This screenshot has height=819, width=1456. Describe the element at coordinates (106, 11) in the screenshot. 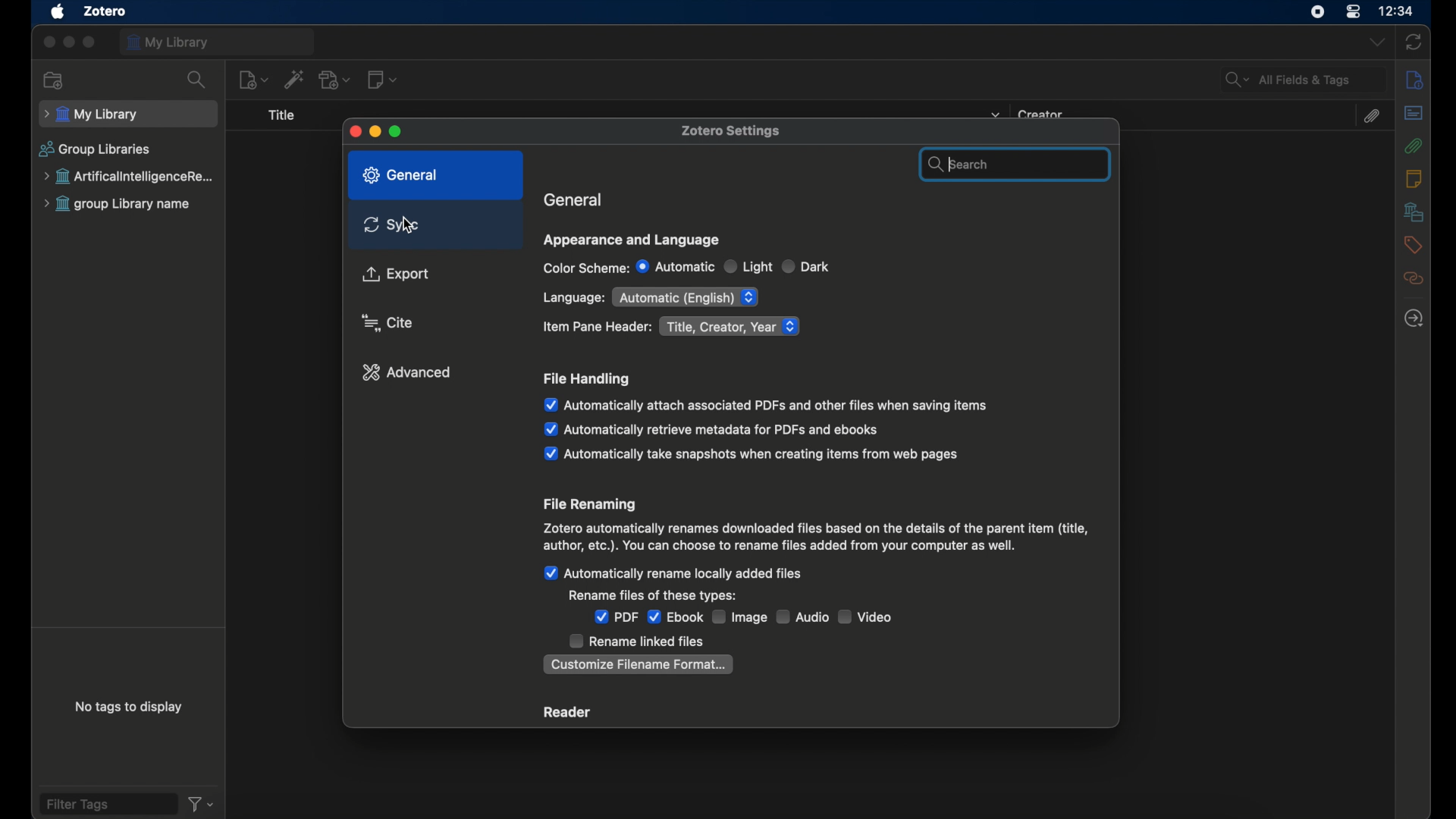

I see `zotero` at that location.